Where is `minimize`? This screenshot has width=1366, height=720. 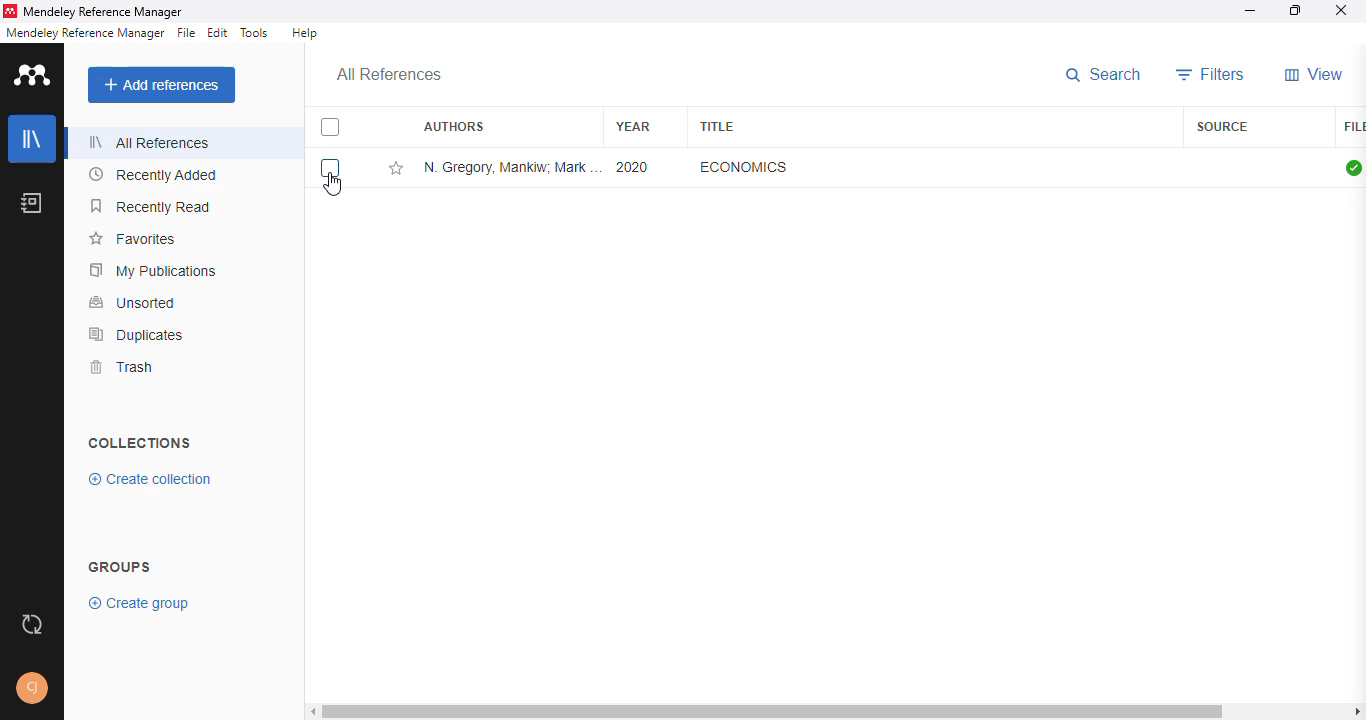 minimize is located at coordinates (1250, 11).